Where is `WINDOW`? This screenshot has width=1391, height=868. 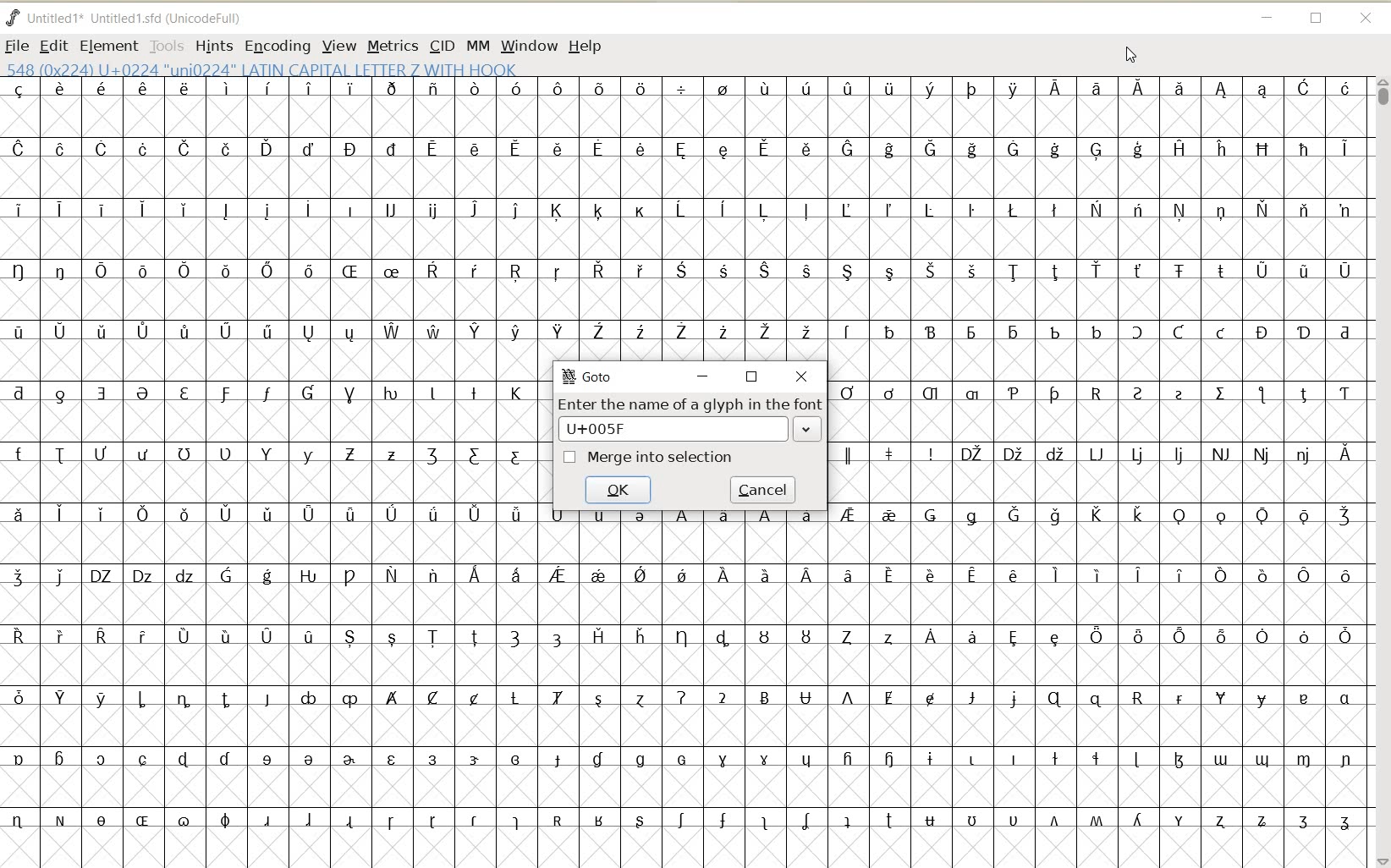
WINDOW is located at coordinates (530, 47).